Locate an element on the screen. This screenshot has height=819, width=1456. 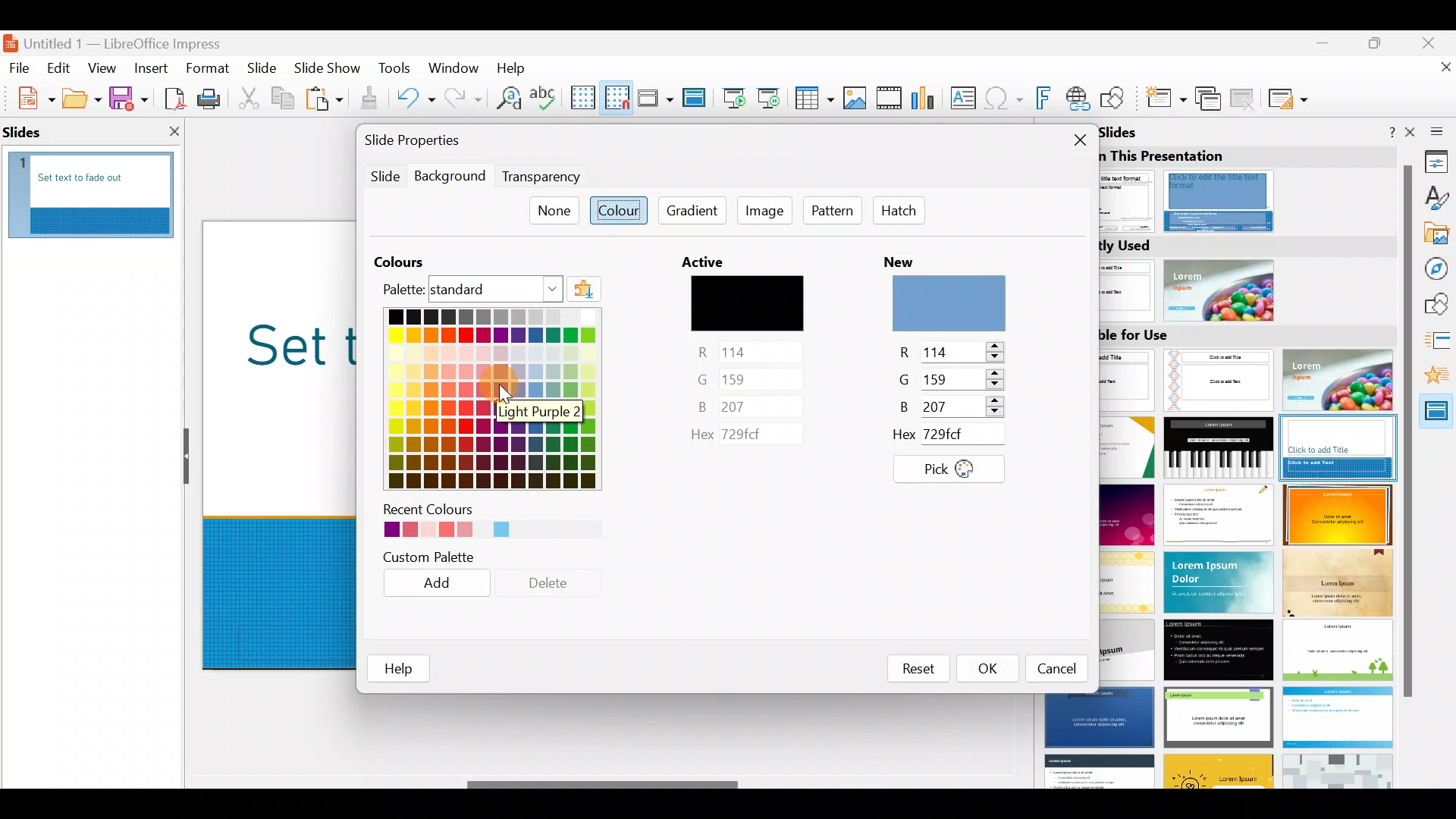
Slide is located at coordinates (263, 70).